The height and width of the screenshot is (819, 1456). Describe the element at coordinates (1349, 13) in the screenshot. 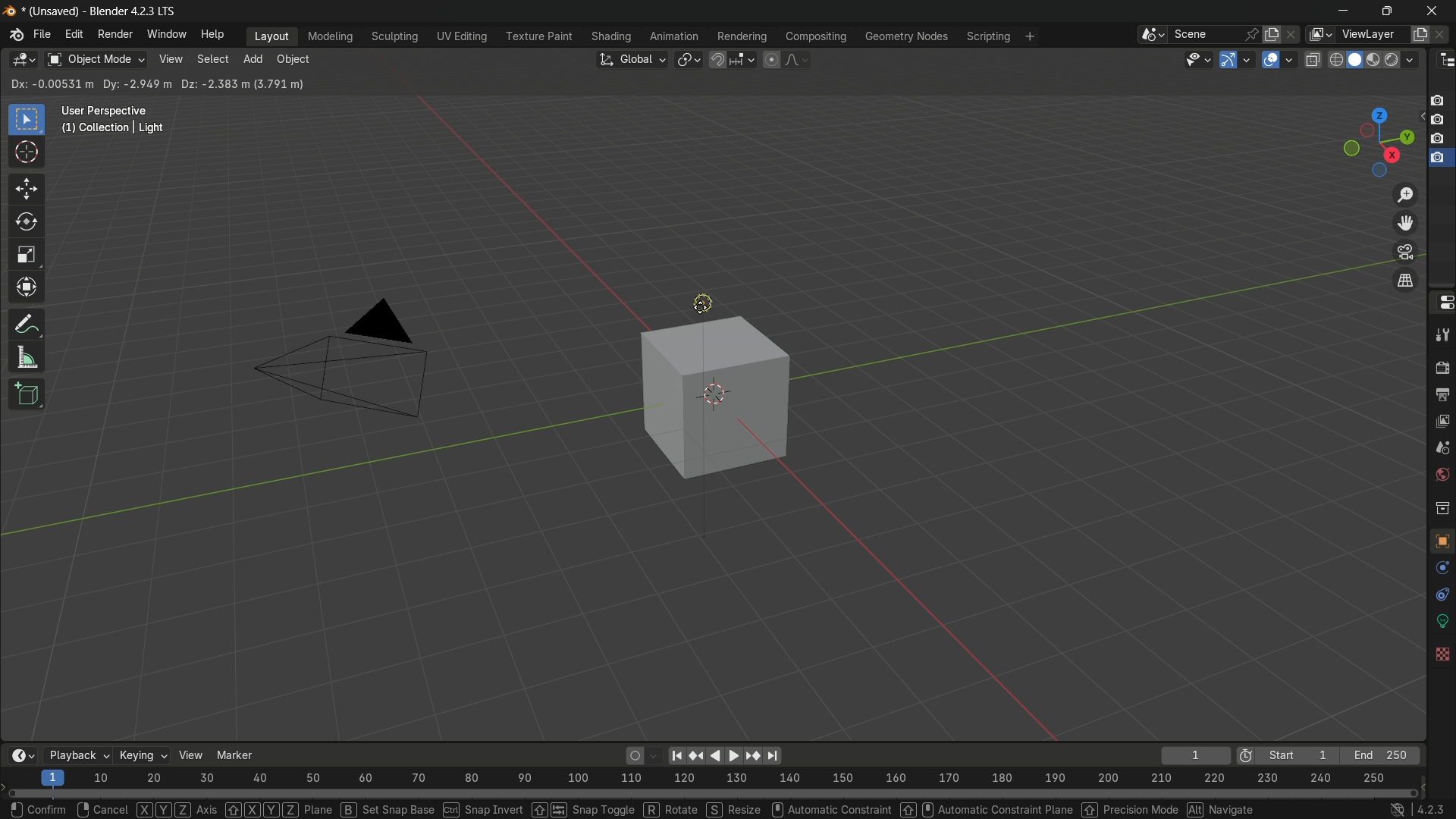

I see `minimize` at that location.